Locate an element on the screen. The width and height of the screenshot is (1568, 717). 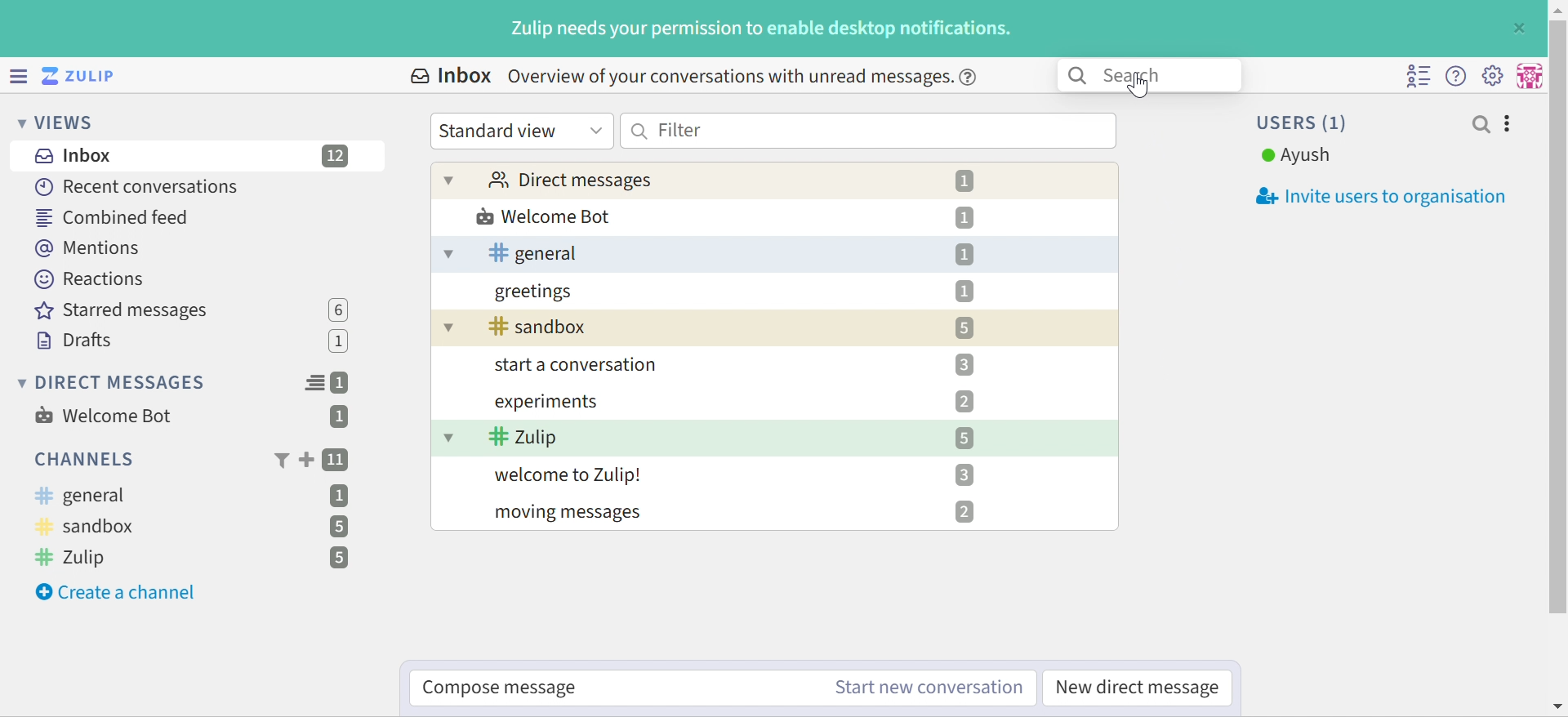
cursor is located at coordinates (1138, 86).